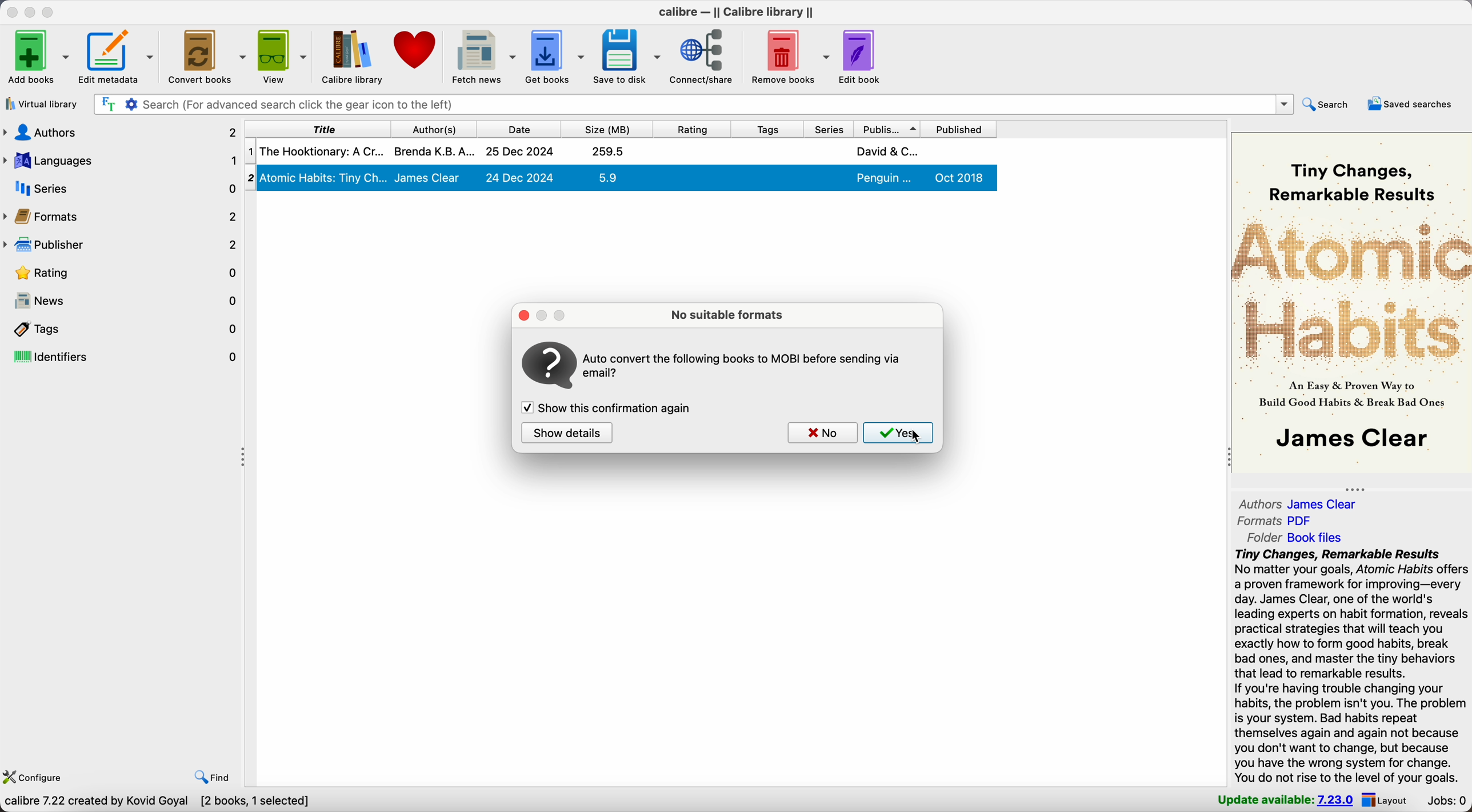 The image size is (1472, 812). I want to click on authors, so click(121, 135).